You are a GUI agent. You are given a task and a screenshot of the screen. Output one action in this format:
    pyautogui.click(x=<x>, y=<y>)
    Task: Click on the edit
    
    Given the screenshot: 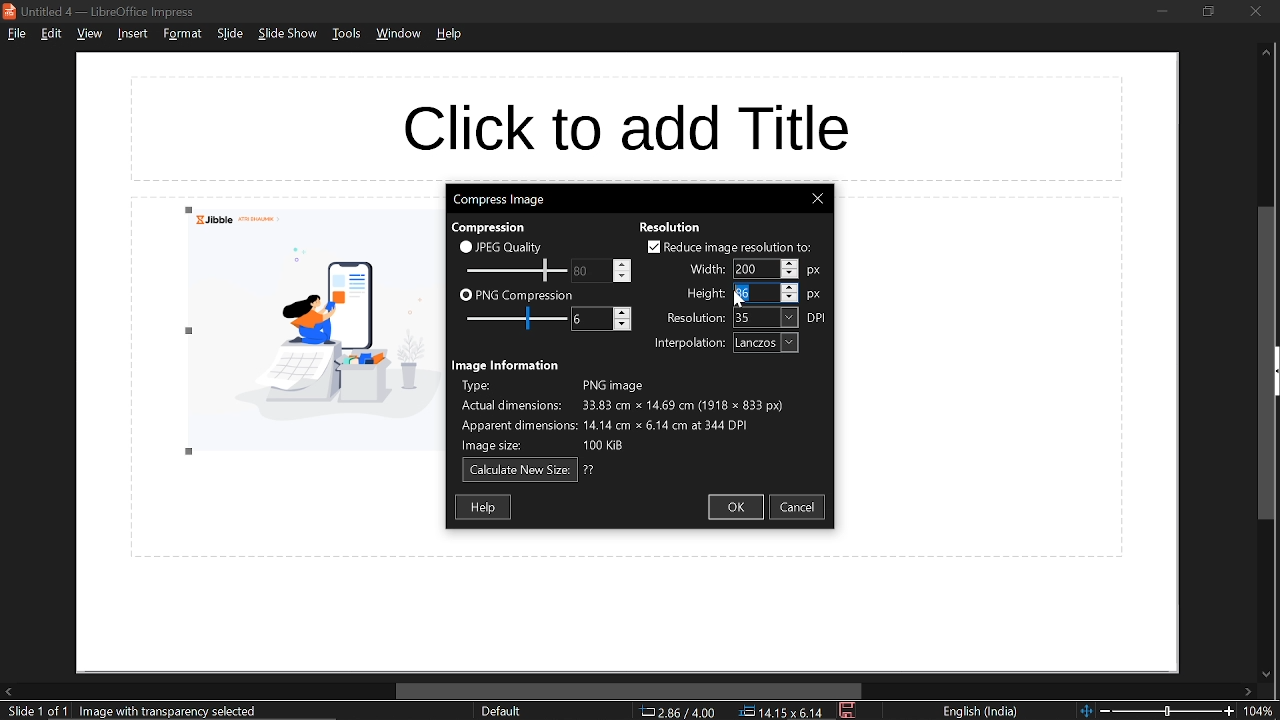 What is the action you would take?
    pyautogui.click(x=53, y=33)
    